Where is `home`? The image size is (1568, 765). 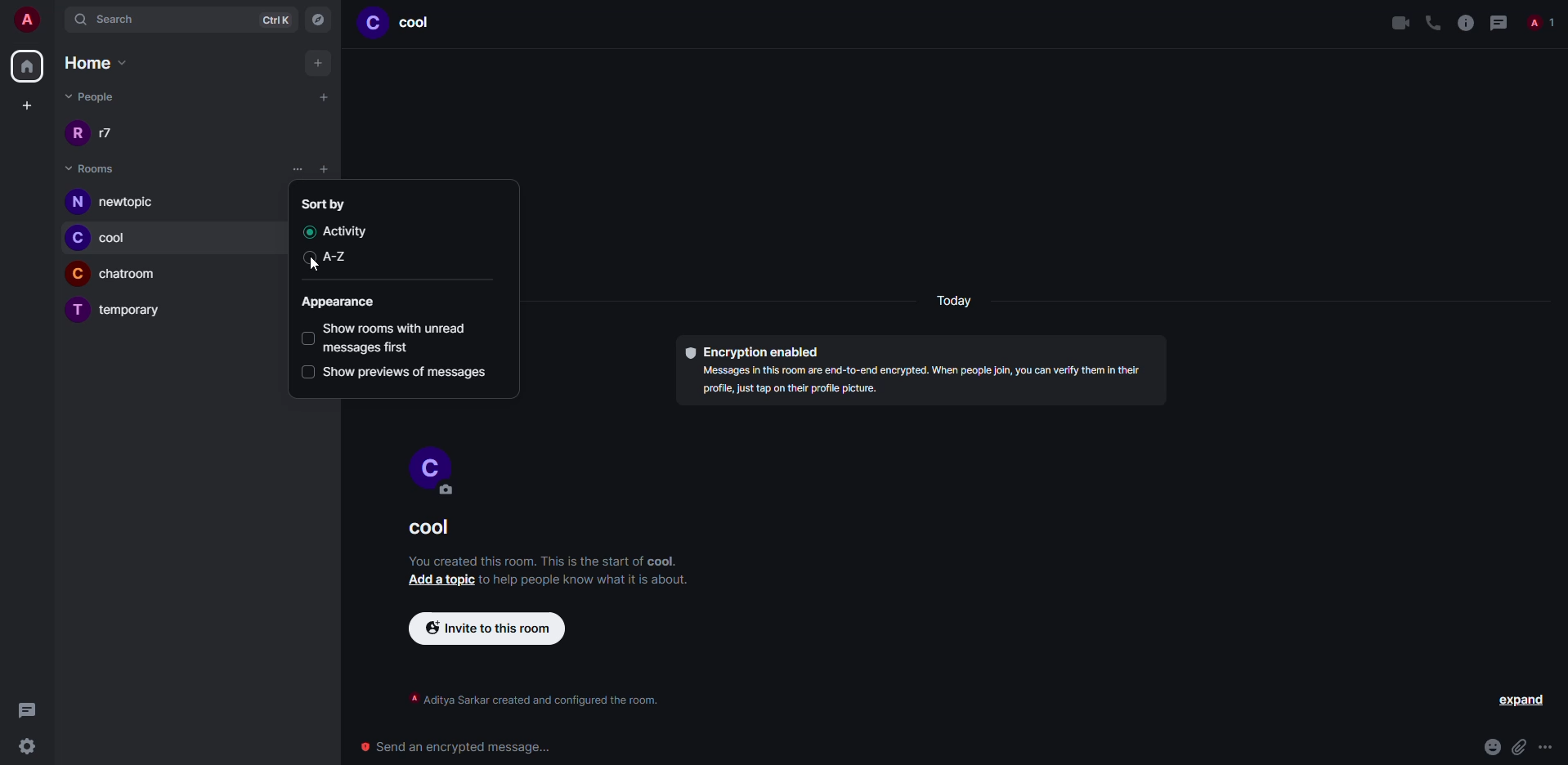
home is located at coordinates (25, 65).